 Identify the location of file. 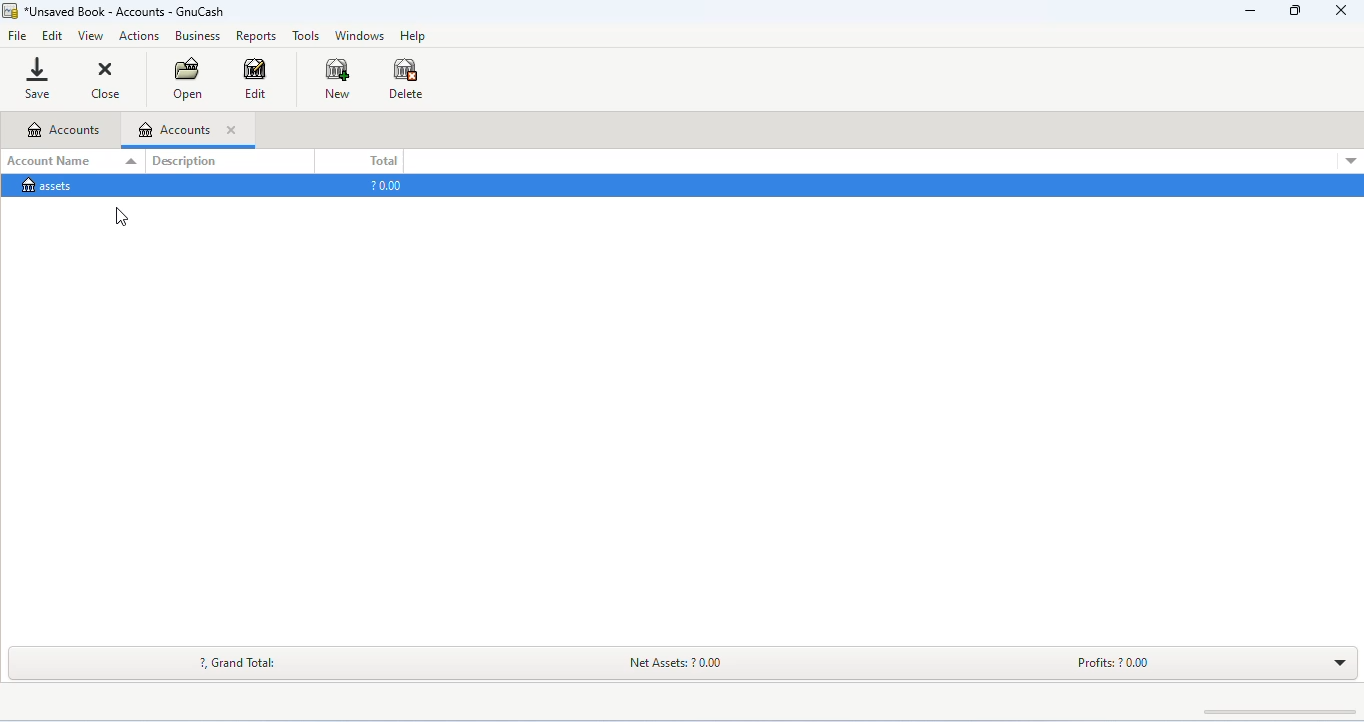
(18, 37).